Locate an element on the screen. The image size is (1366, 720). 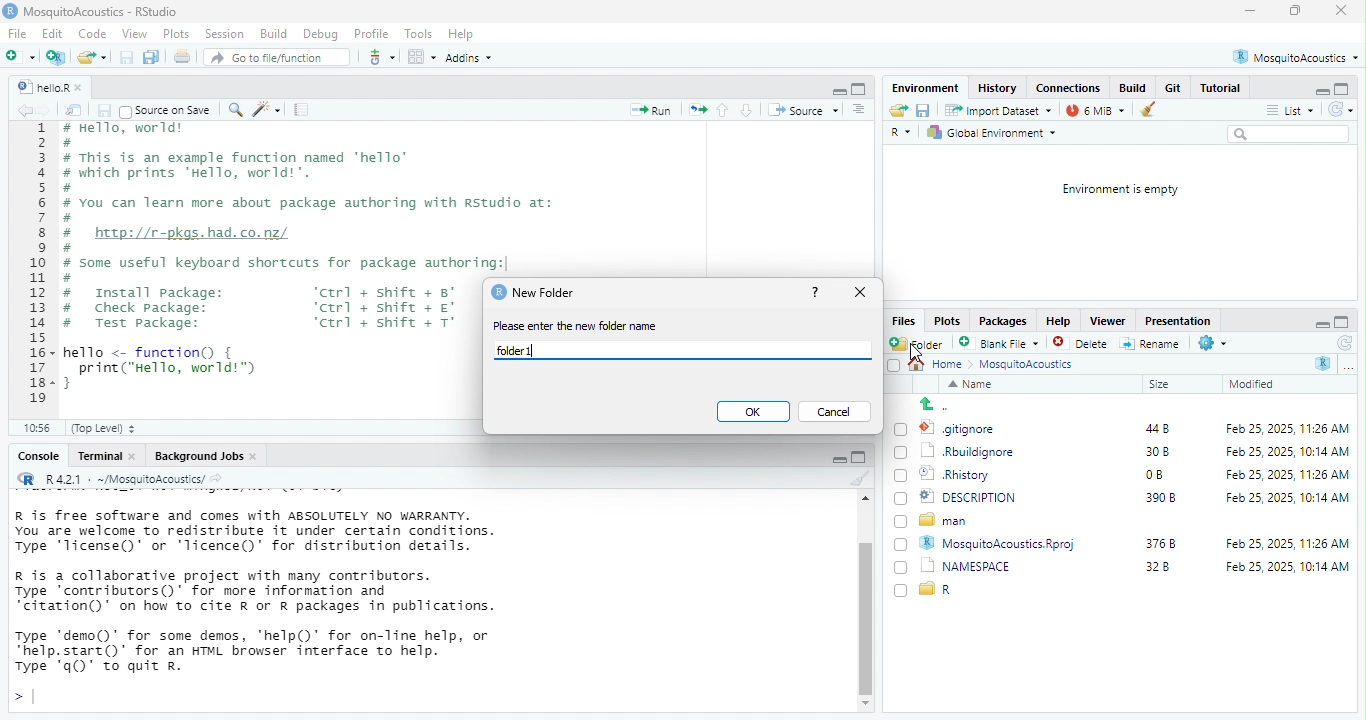
modified is located at coordinates (1257, 384).